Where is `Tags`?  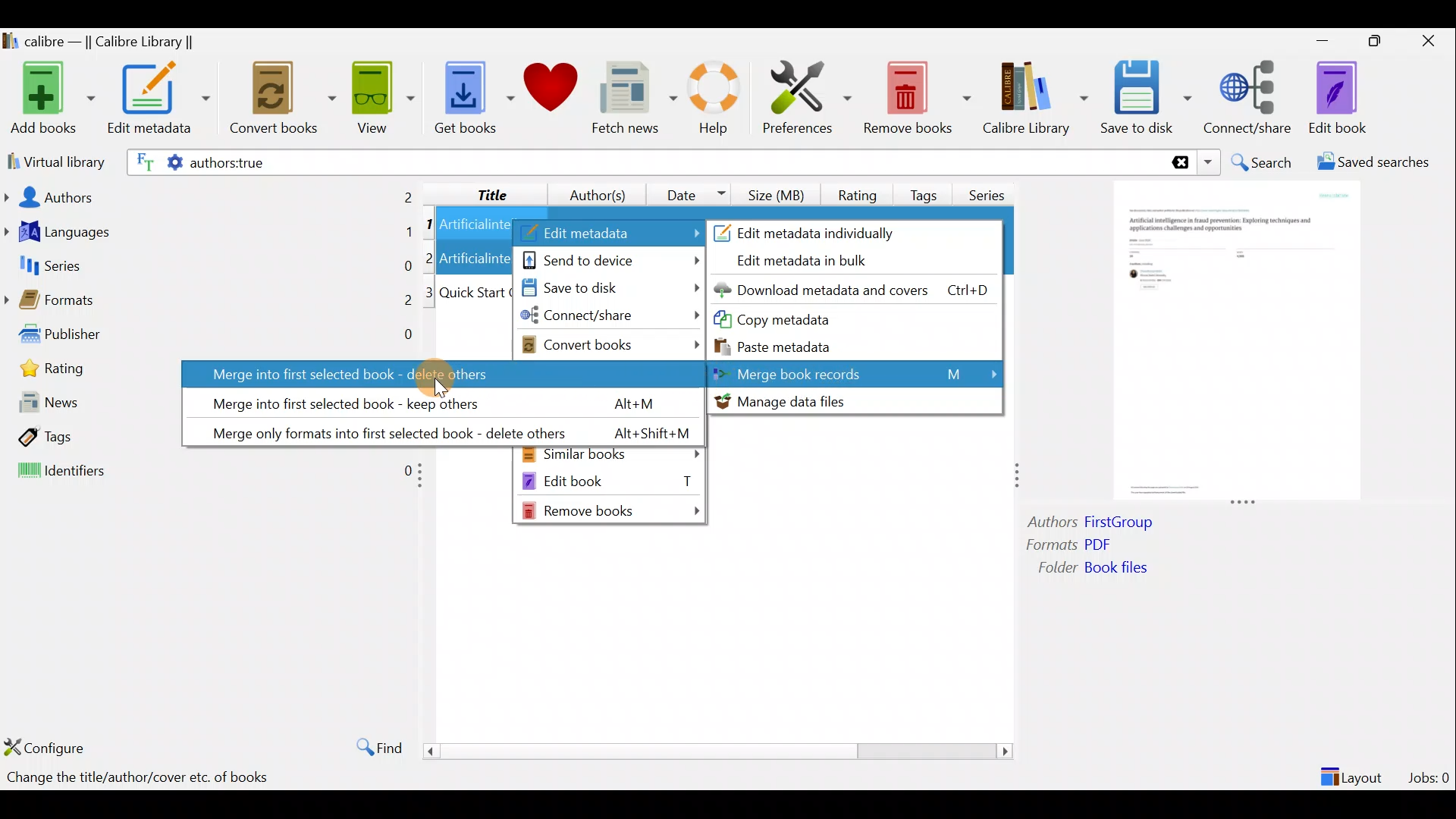
Tags is located at coordinates (86, 437).